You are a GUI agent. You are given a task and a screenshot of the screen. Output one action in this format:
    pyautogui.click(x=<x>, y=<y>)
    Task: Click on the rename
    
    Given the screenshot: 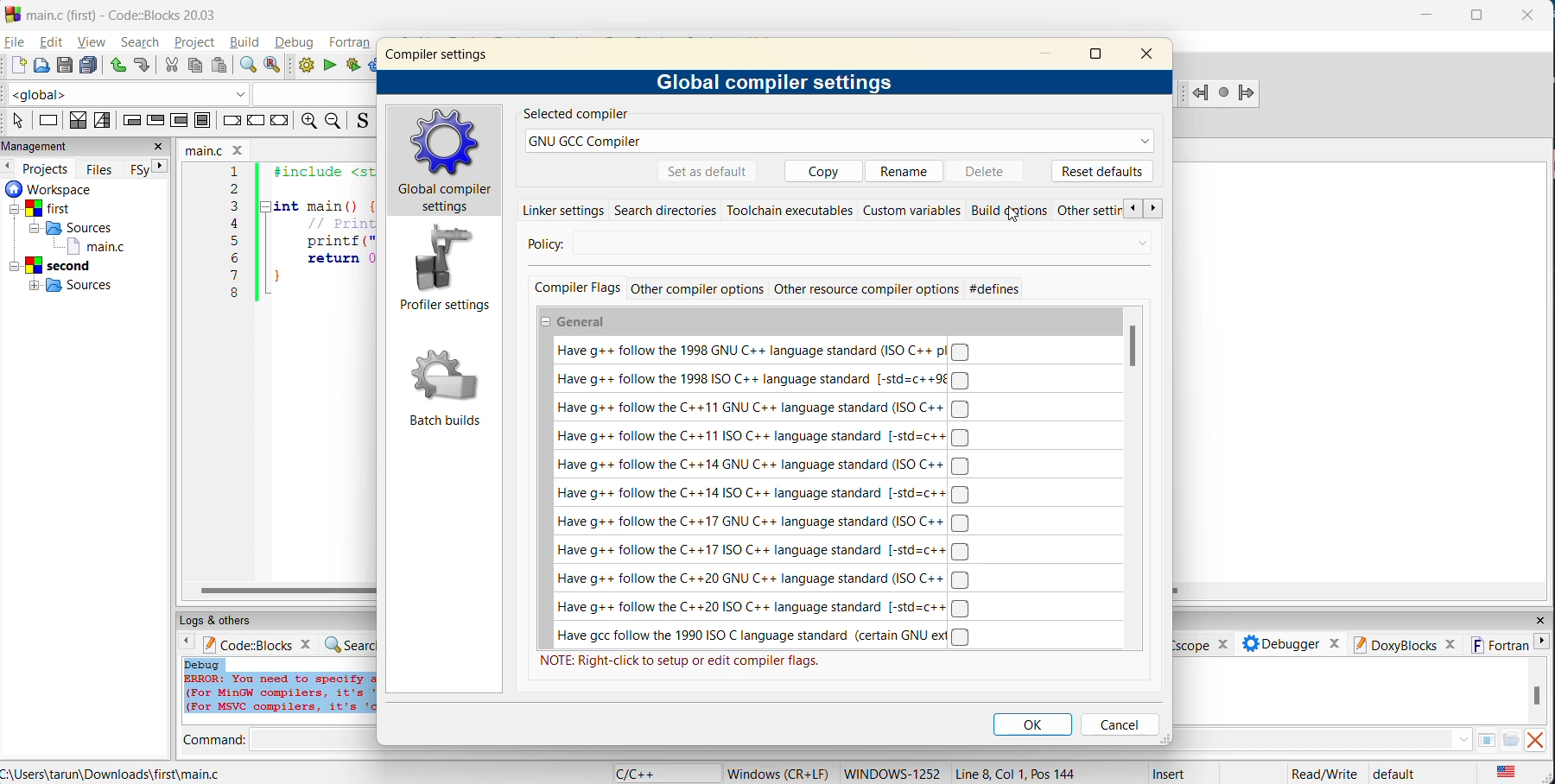 What is the action you would take?
    pyautogui.click(x=906, y=172)
    